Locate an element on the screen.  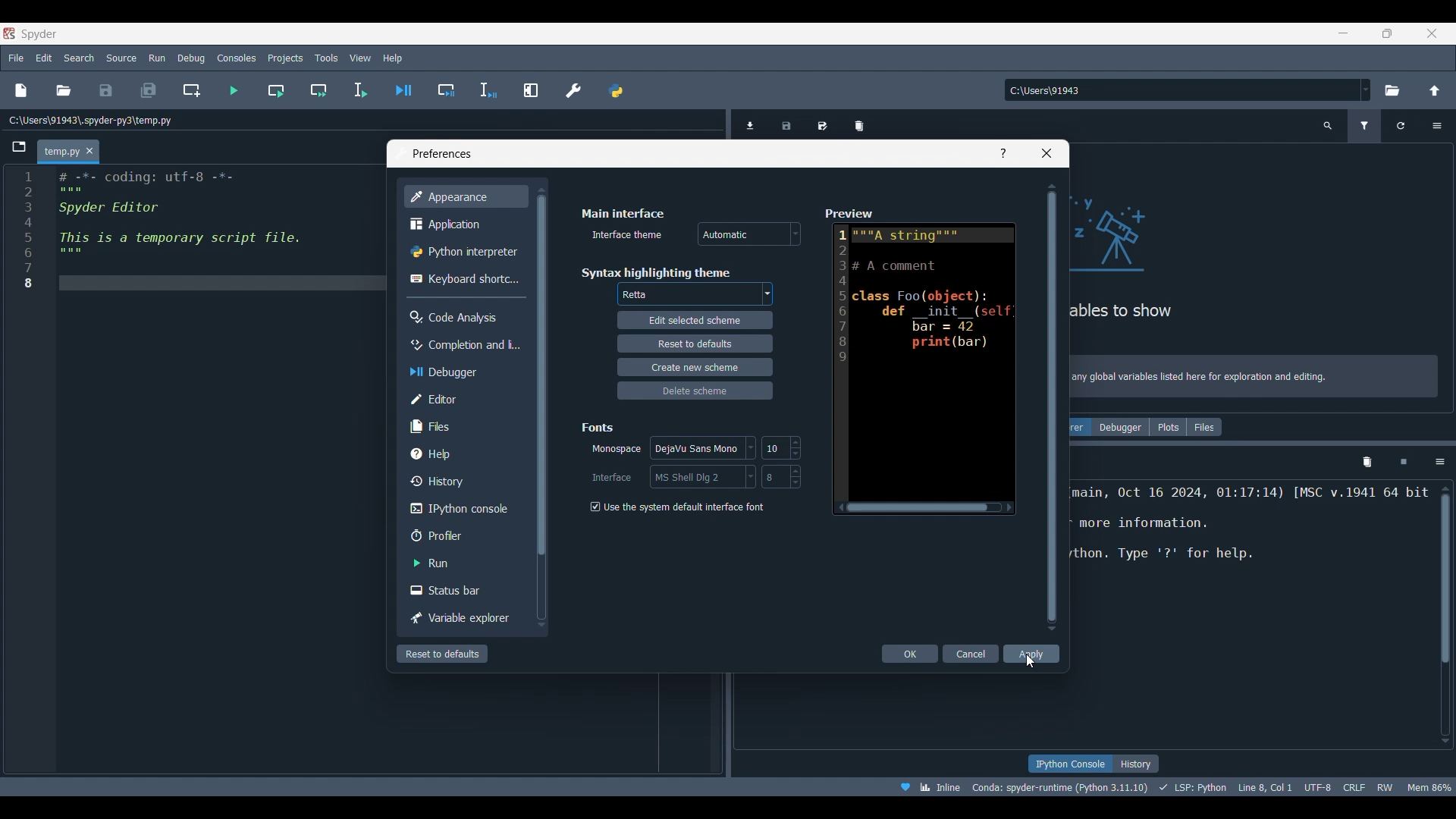
History is located at coordinates (1136, 764).